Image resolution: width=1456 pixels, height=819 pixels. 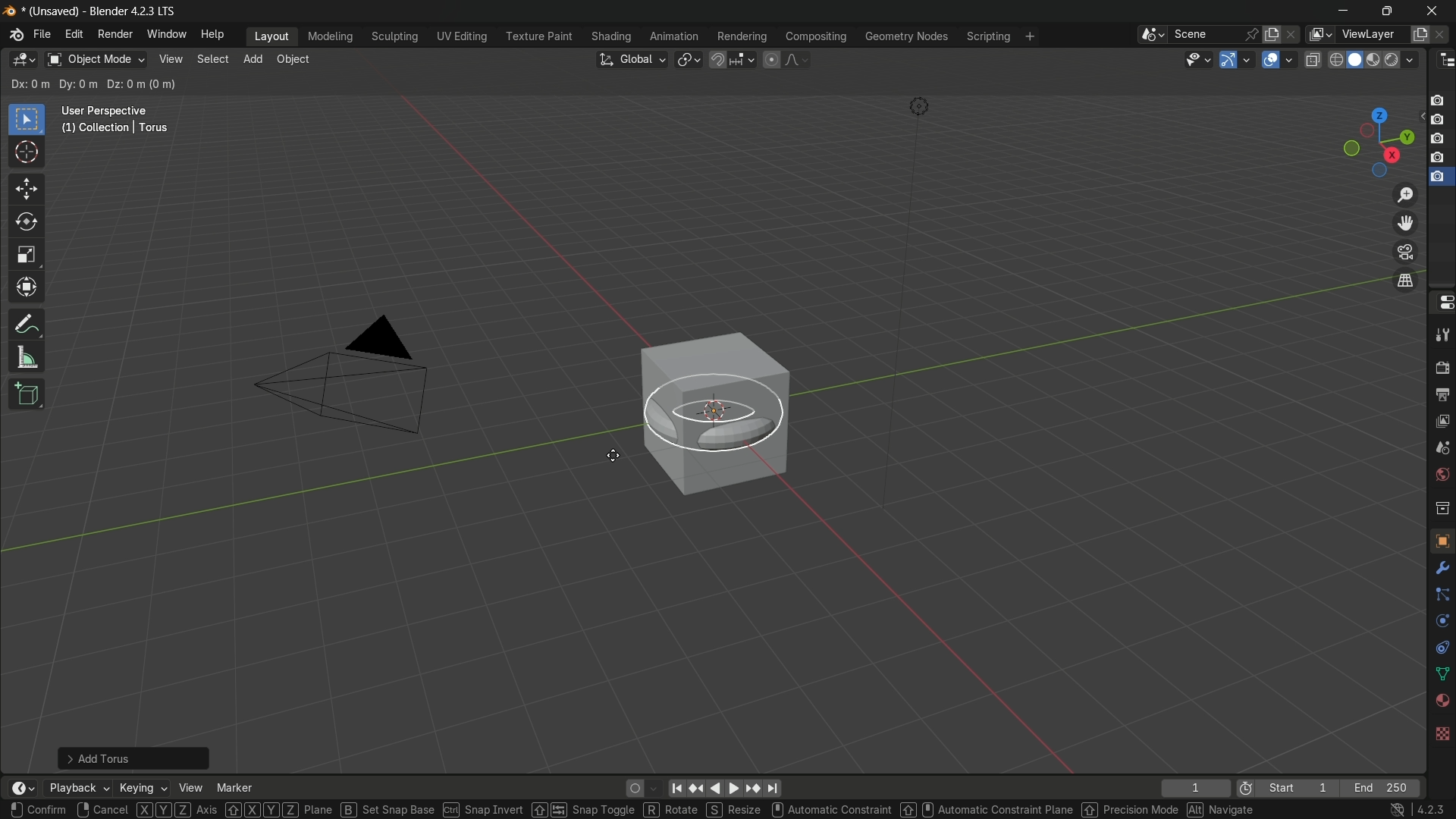 I want to click on layer 4, so click(x=1439, y=158).